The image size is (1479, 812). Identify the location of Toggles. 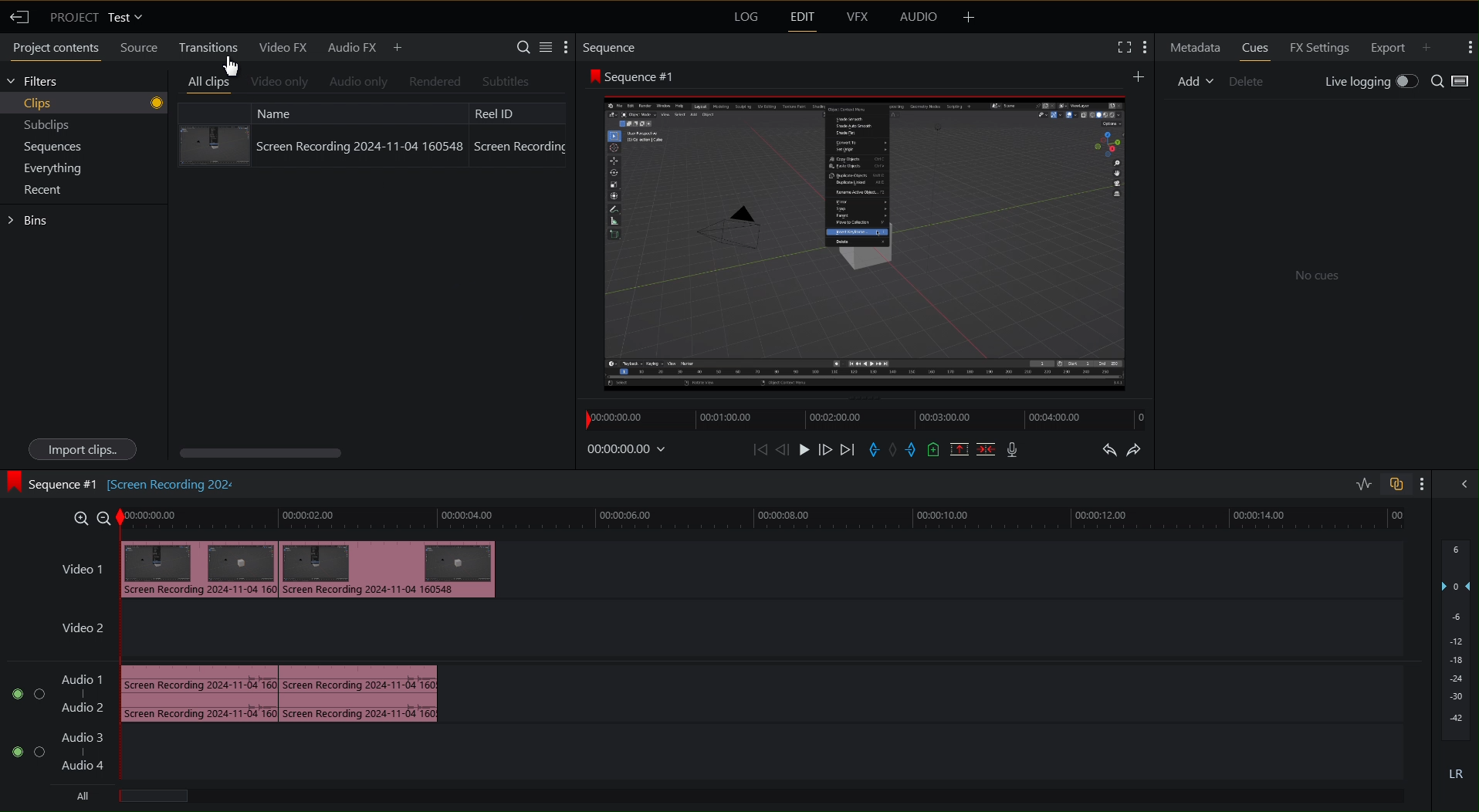
(1377, 484).